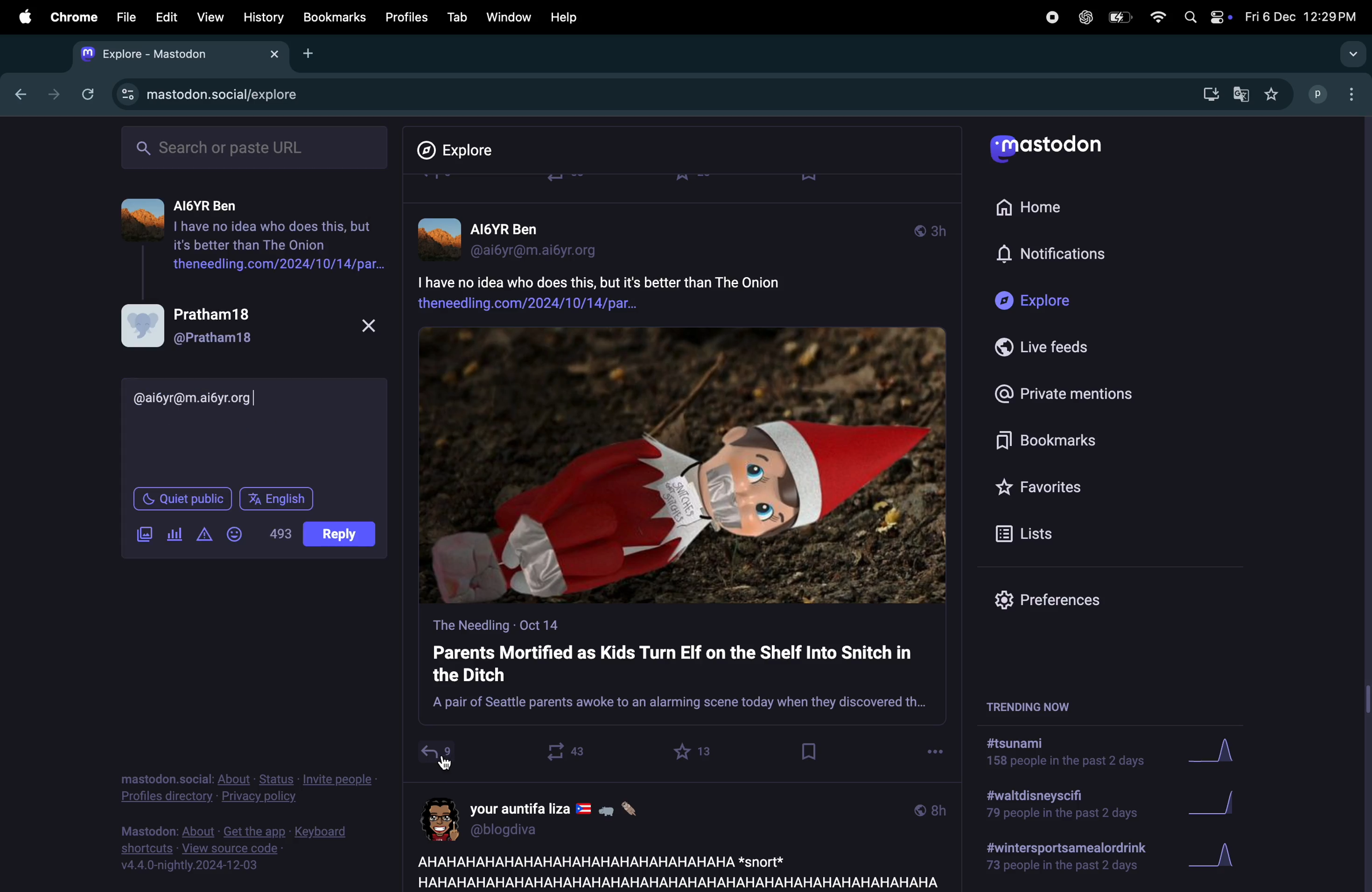 The image size is (1372, 892). Describe the element at coordinates (560, 751) in the screenshot. I see `boost` at that location.